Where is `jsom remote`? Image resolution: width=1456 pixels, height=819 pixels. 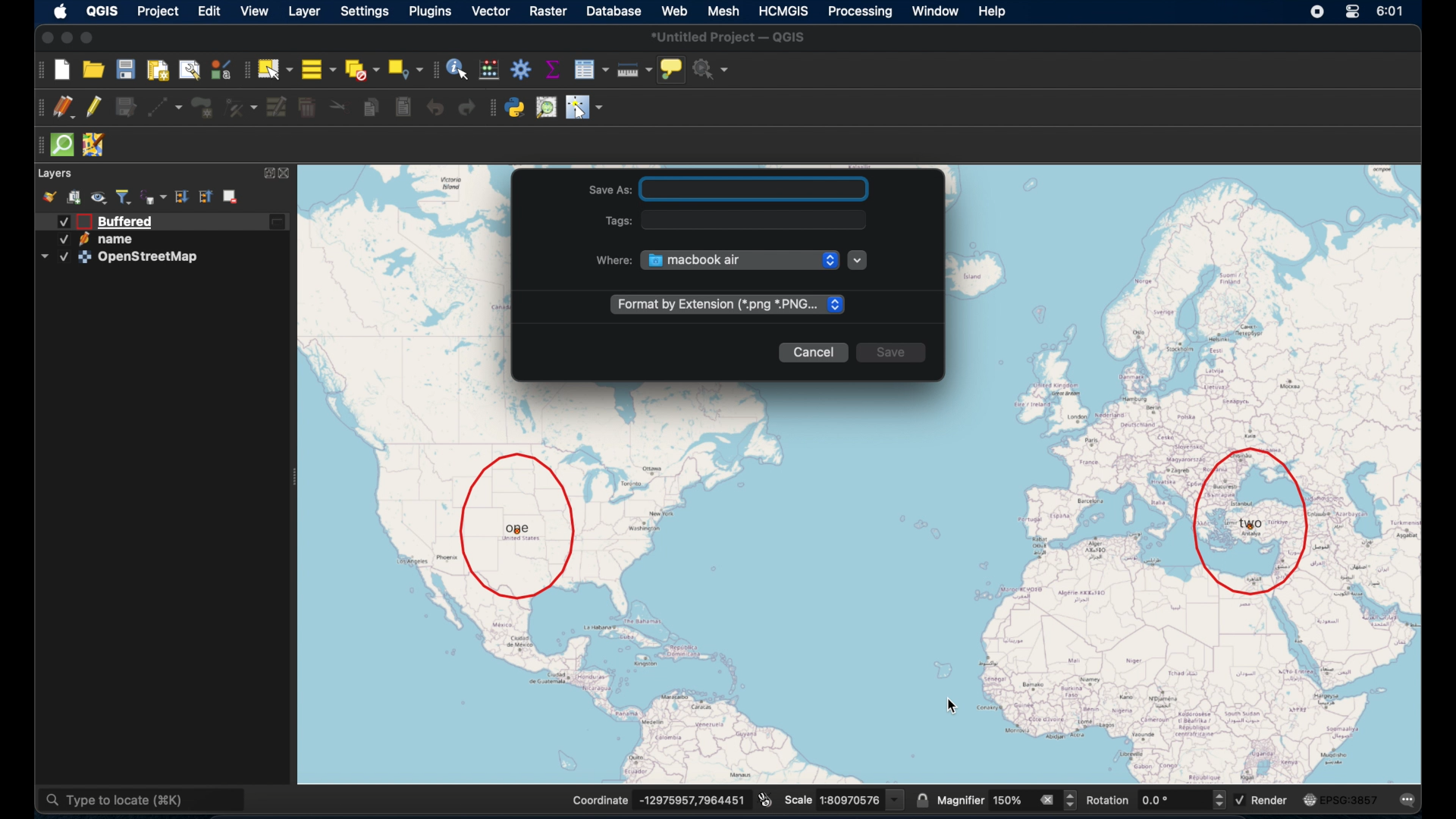 jsom remote is located at coordinates (93, 146).